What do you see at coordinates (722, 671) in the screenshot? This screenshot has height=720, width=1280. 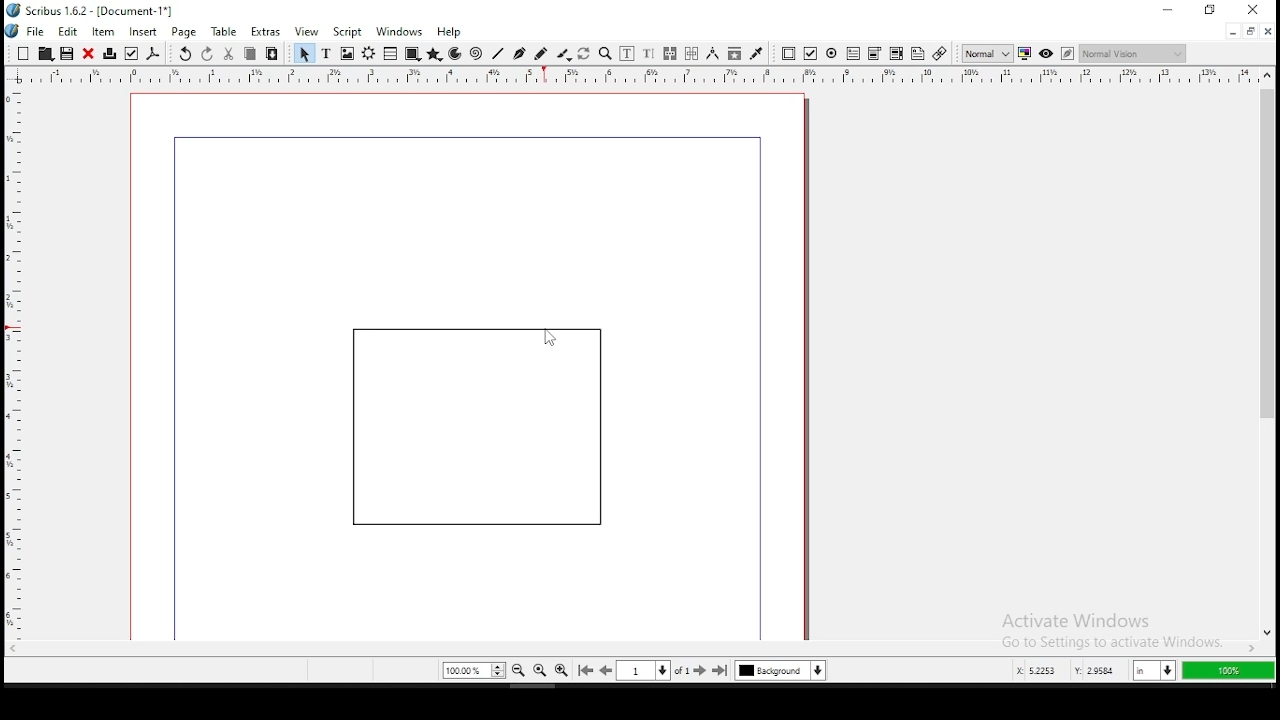 I see `go to last page` at bounding box center [722, 671].